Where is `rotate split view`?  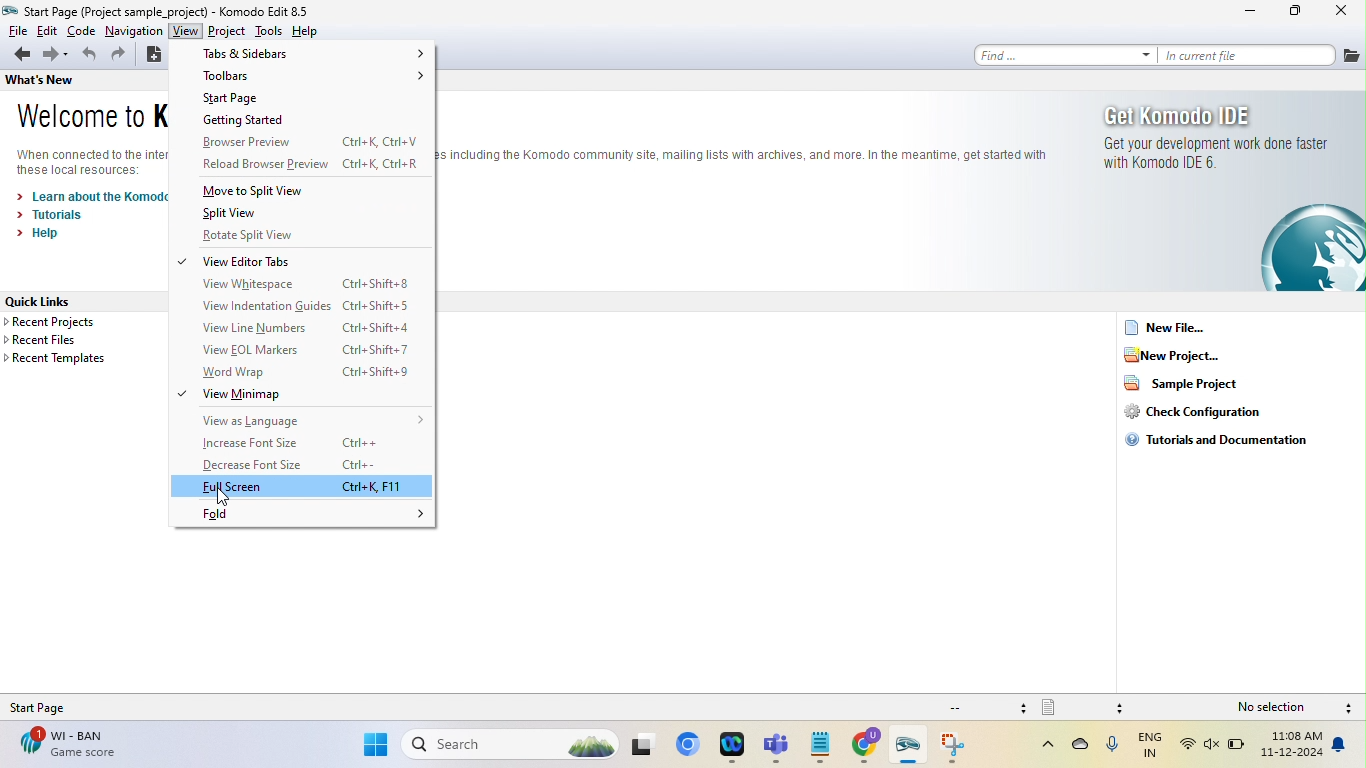
rotate split view is located at coordinates (255, 235).